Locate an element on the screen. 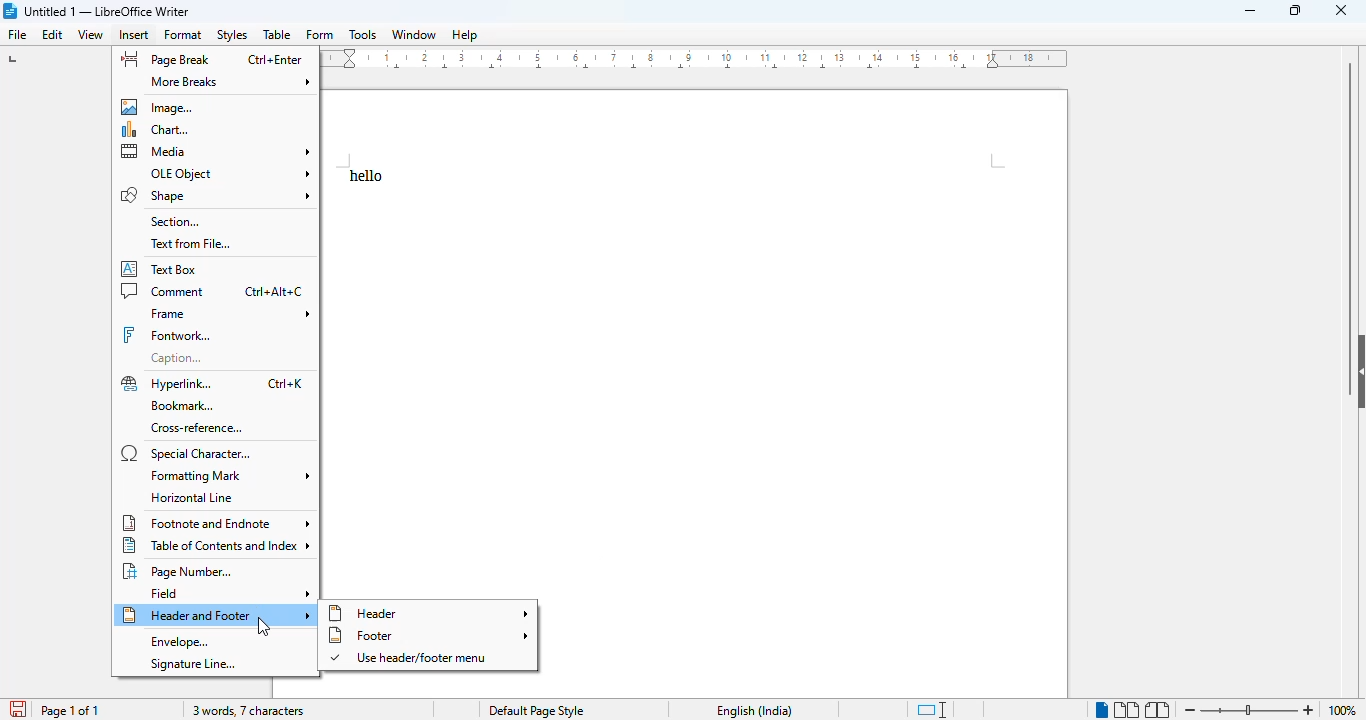  insert is located at coordinates (133, 34).